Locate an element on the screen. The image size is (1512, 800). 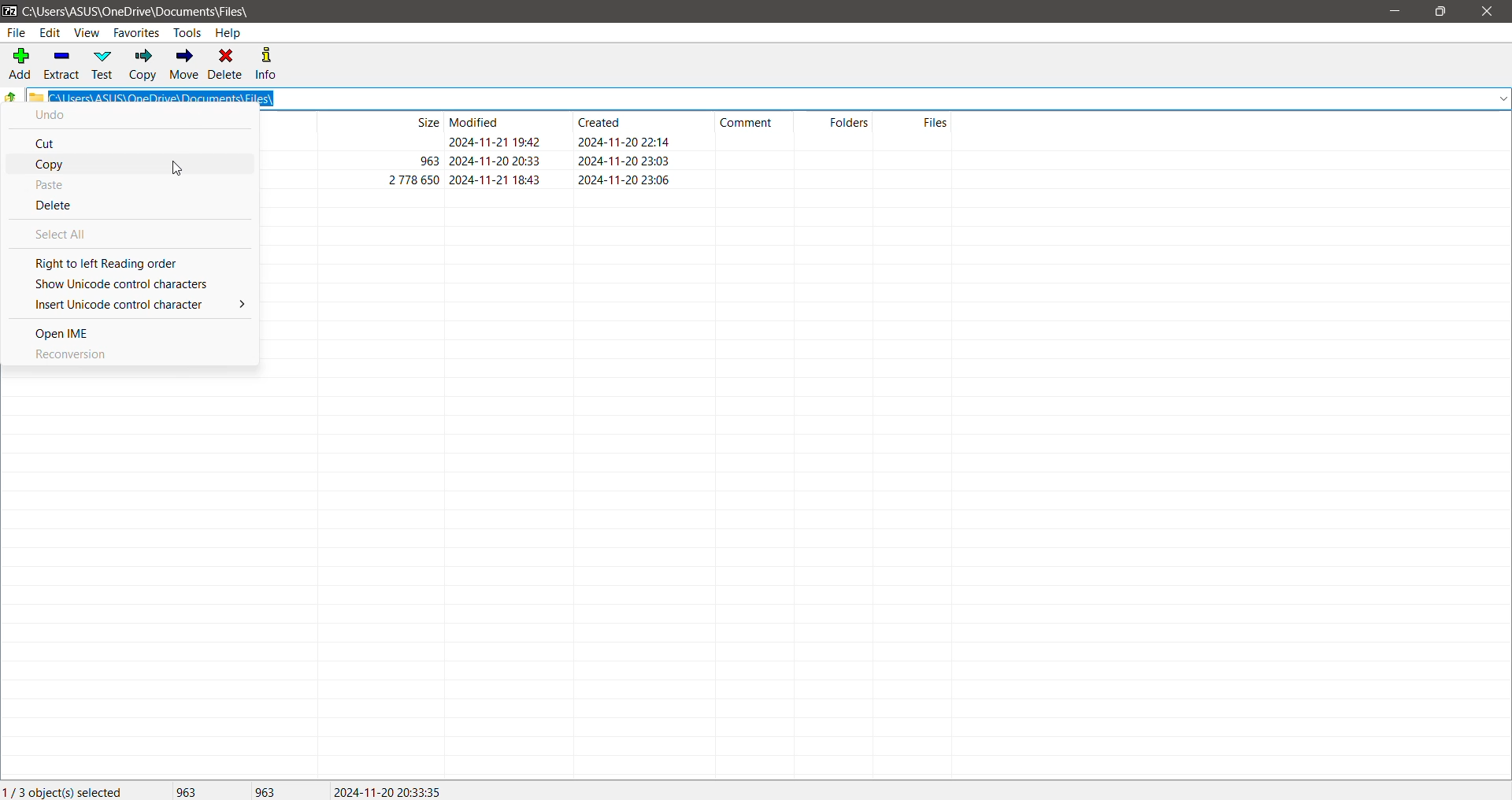
Info is located at coordinates (272, 64).